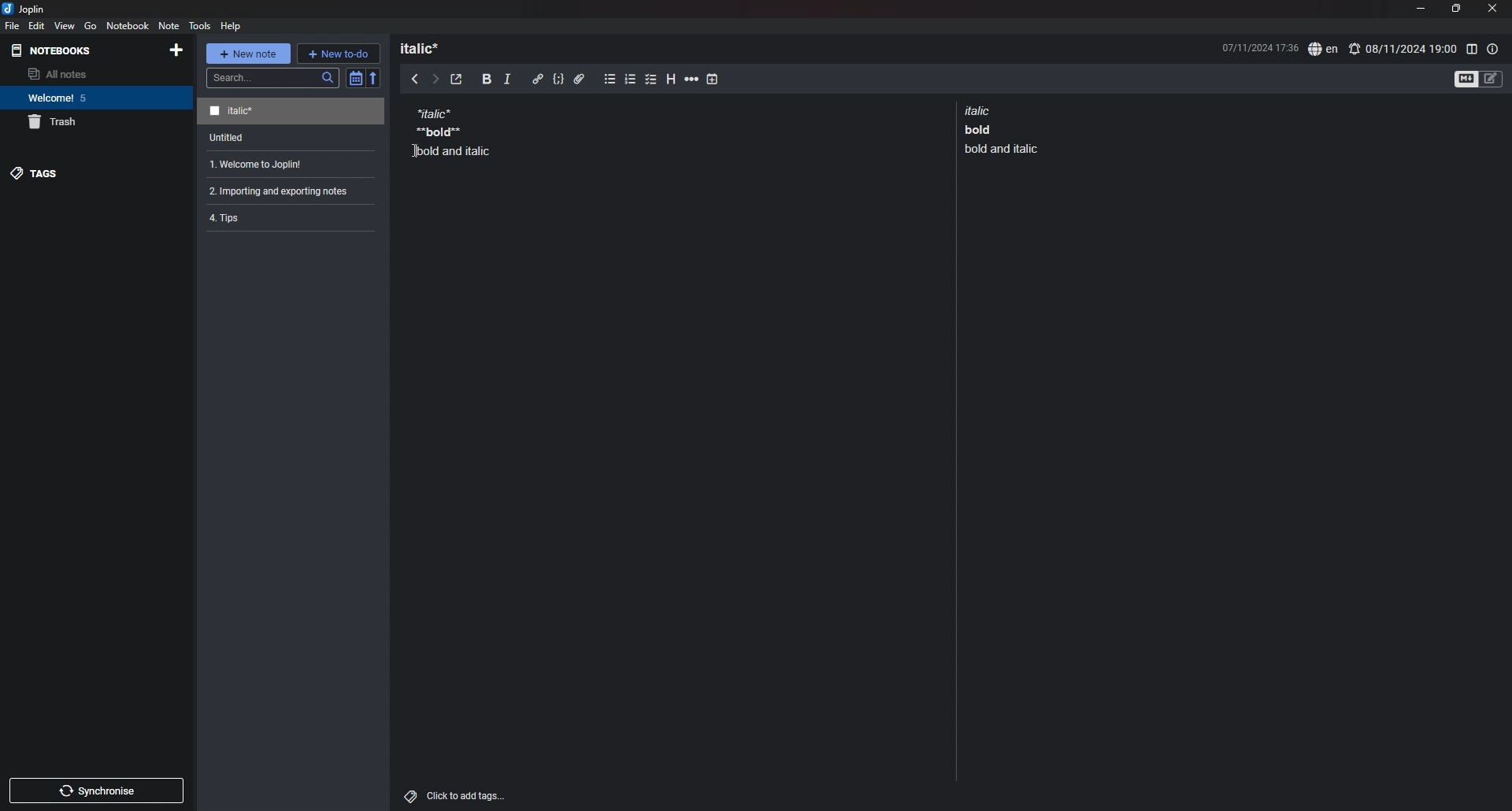 The width and height of the screenshot is (1512, 811). I want to click on hyperlink, so click(538, 79).